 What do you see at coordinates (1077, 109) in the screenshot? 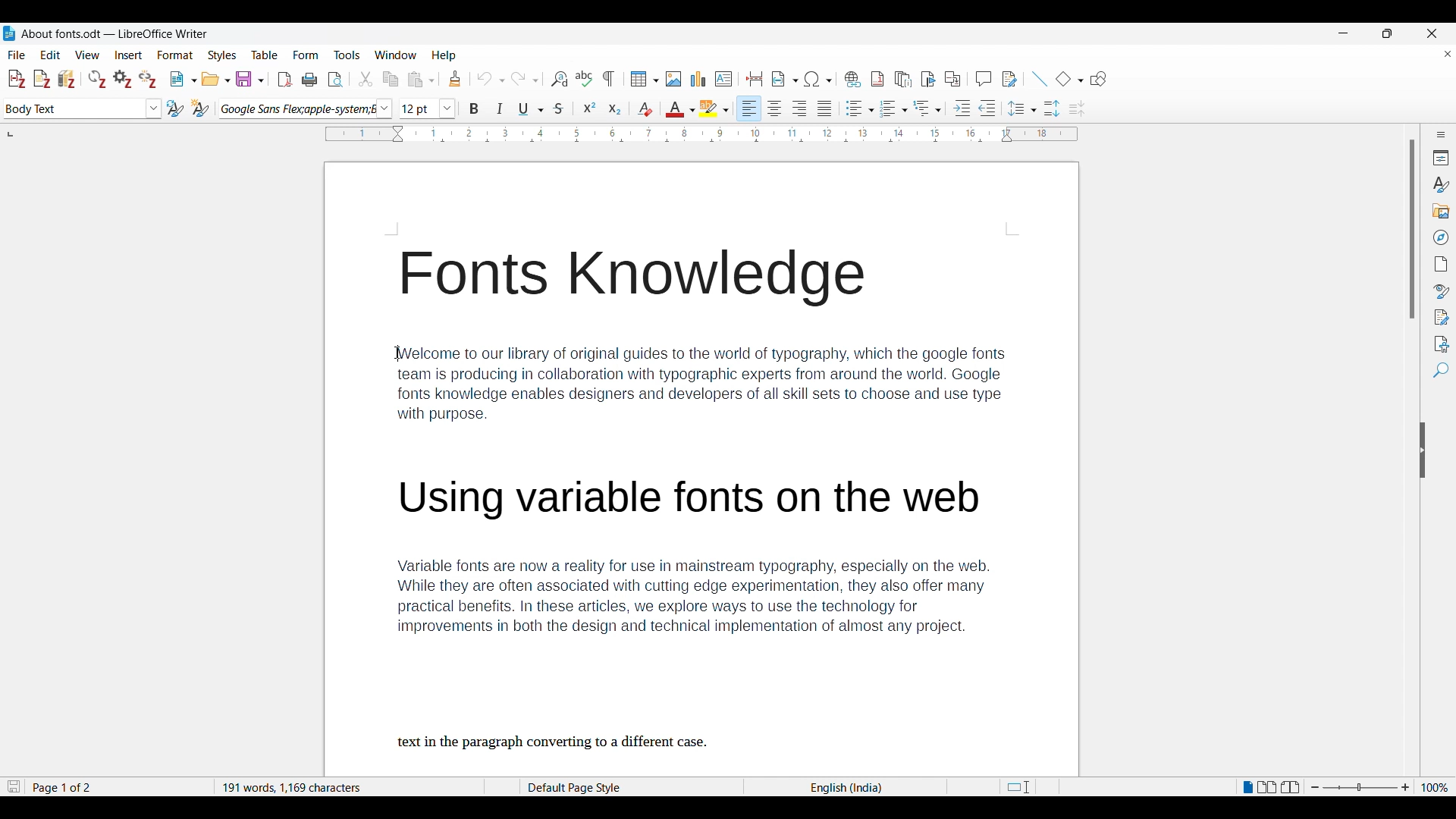
I see `Decrease paragraph spacing` at bounding box center [1077, 109].